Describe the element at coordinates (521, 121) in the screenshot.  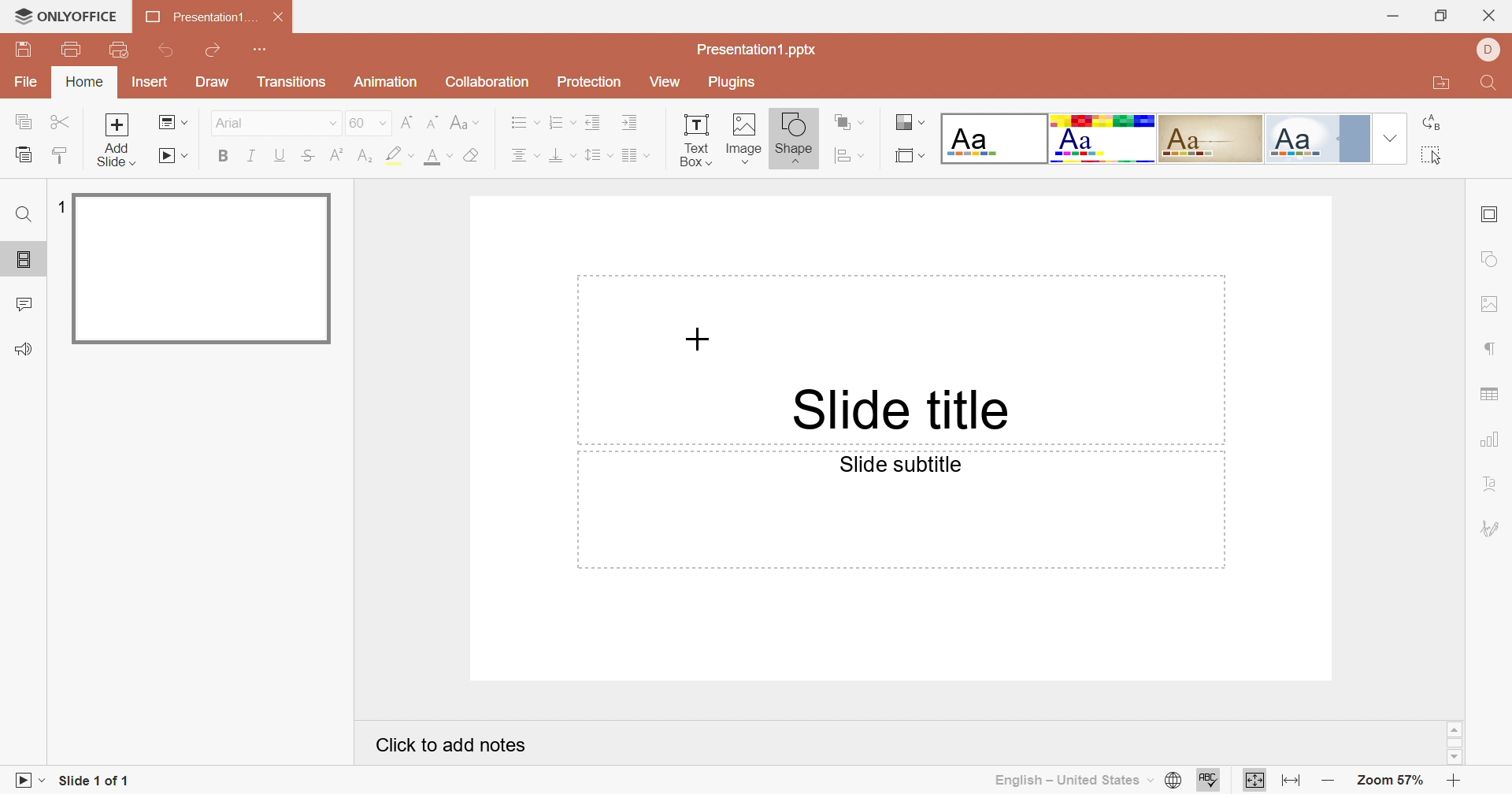
I see `Bullets` at that location.